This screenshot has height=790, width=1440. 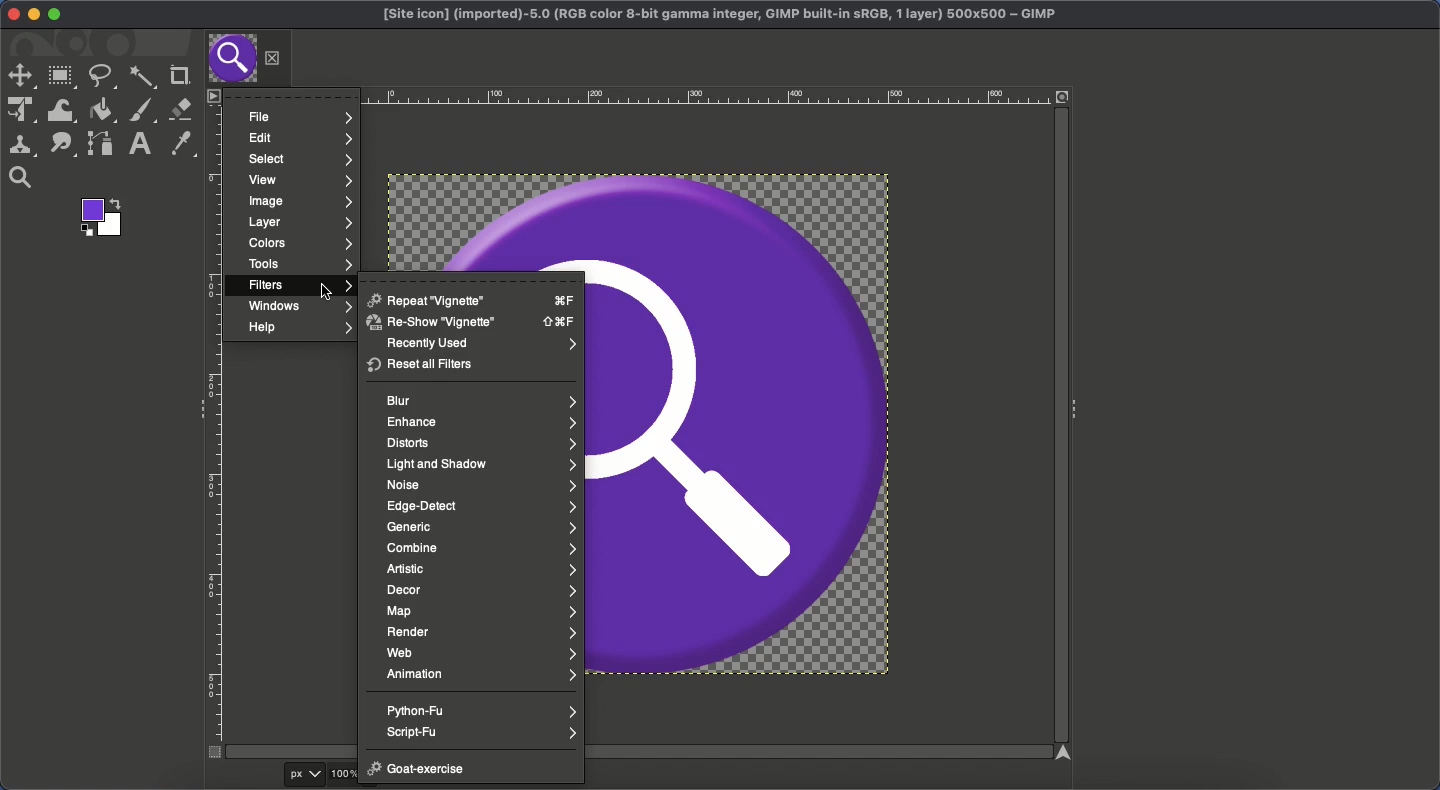 I want to click on Warp transformation, so click(x=62, y=110).